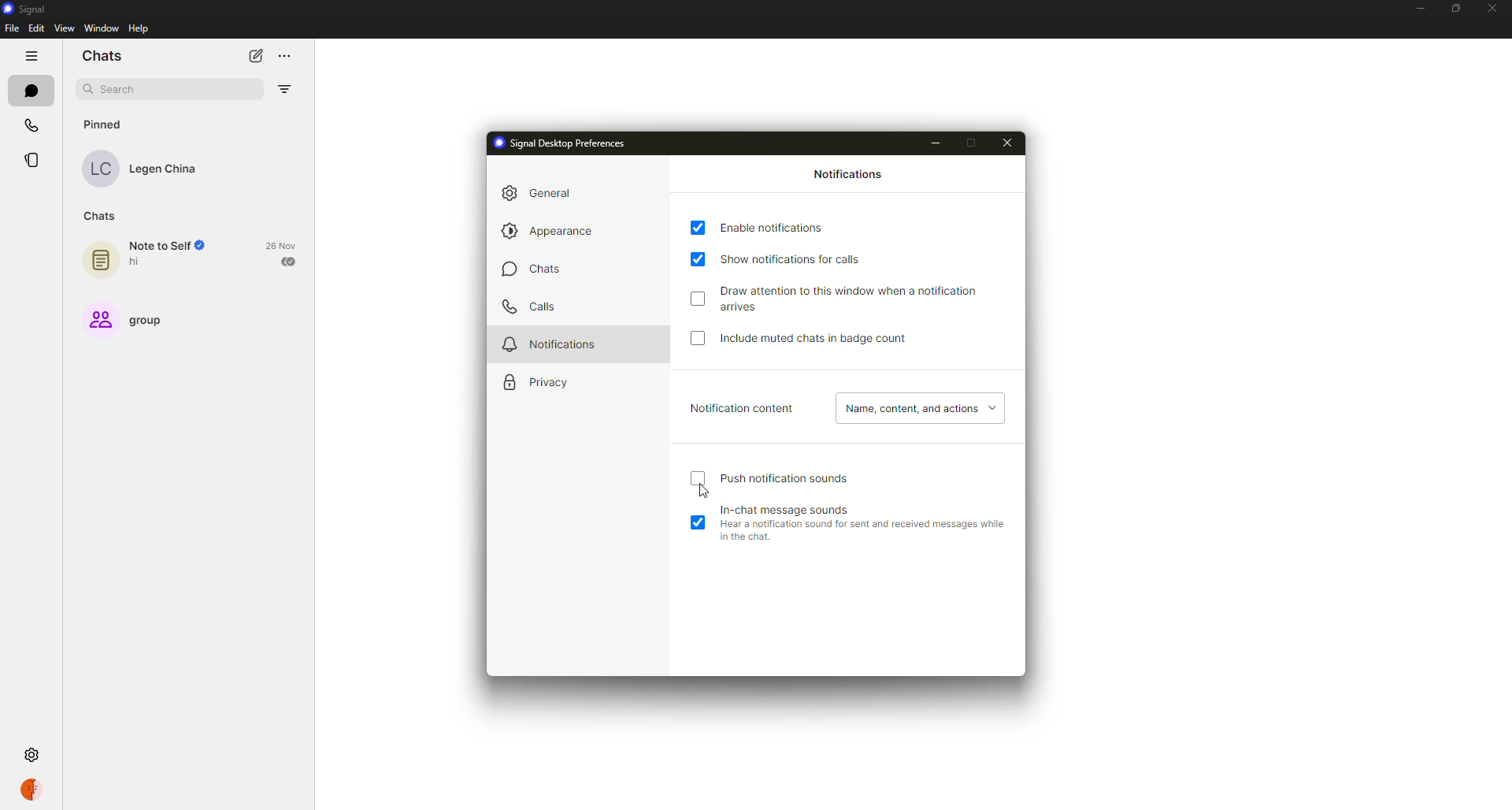  I want to click on privacy, so click(543, 381).